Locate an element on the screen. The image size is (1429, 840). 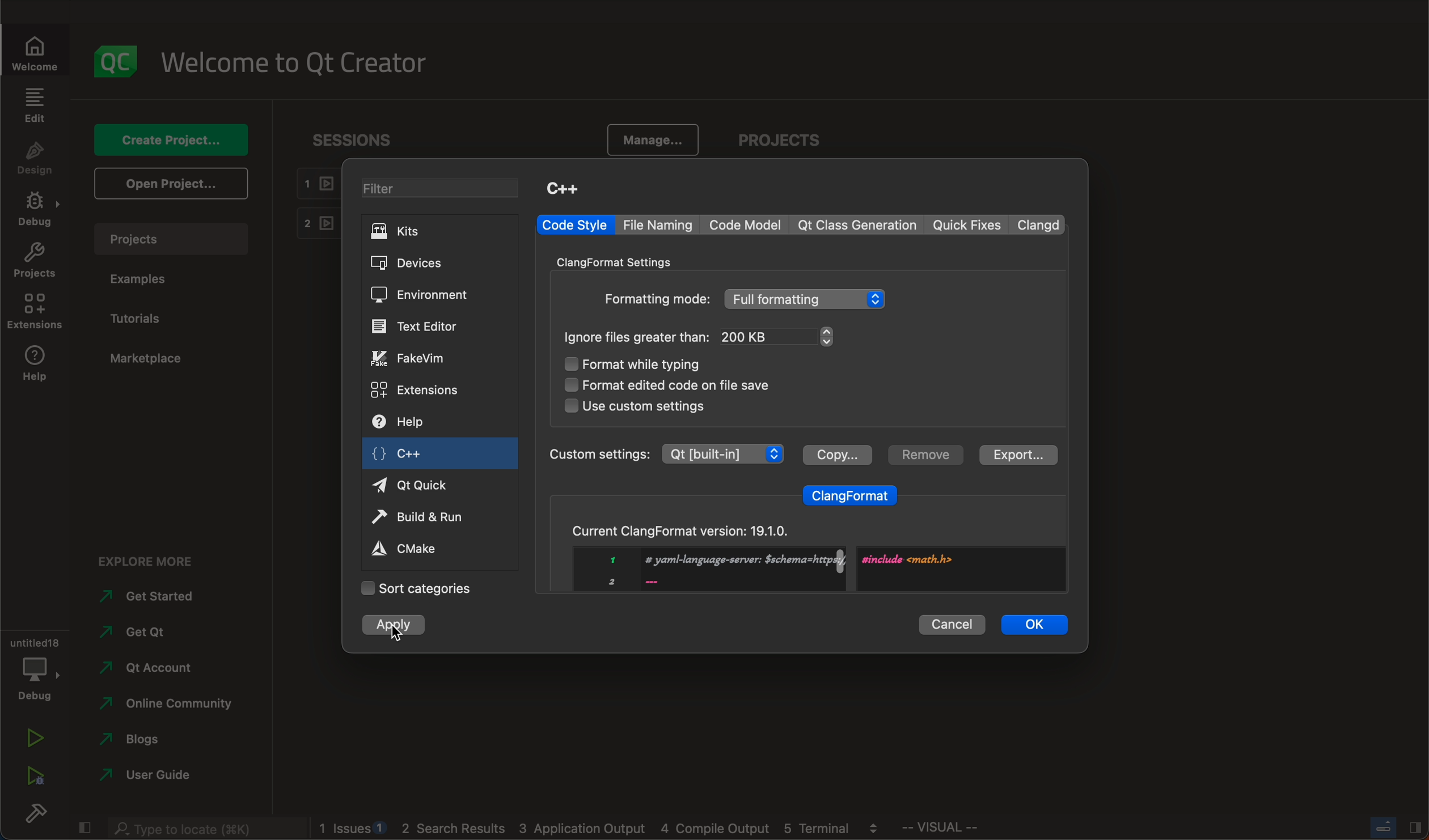
c++ is located at coordinates (410, 456).